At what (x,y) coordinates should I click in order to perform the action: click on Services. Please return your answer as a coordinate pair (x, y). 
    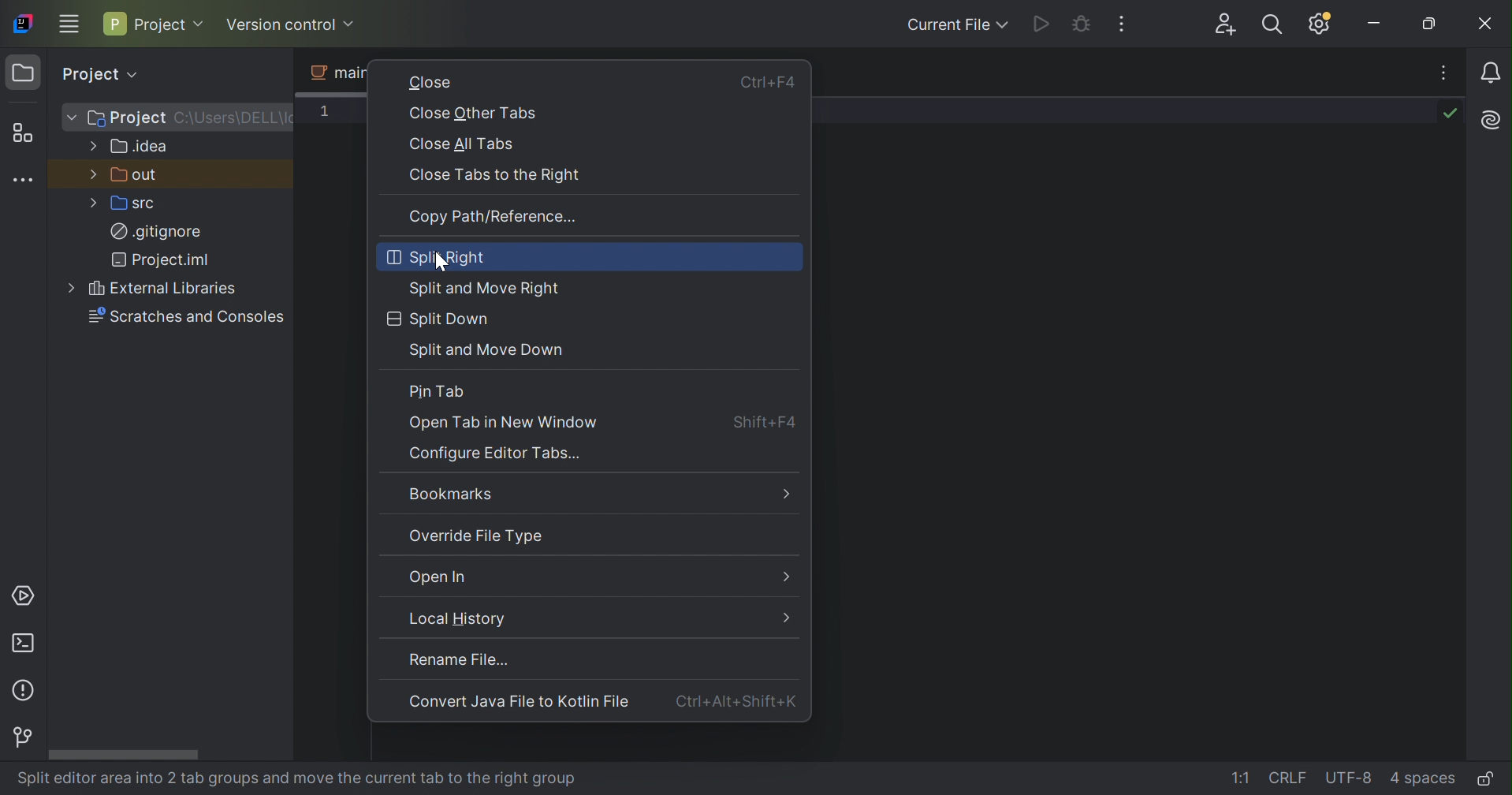
    Looking at the image, I should click on (20, 598).